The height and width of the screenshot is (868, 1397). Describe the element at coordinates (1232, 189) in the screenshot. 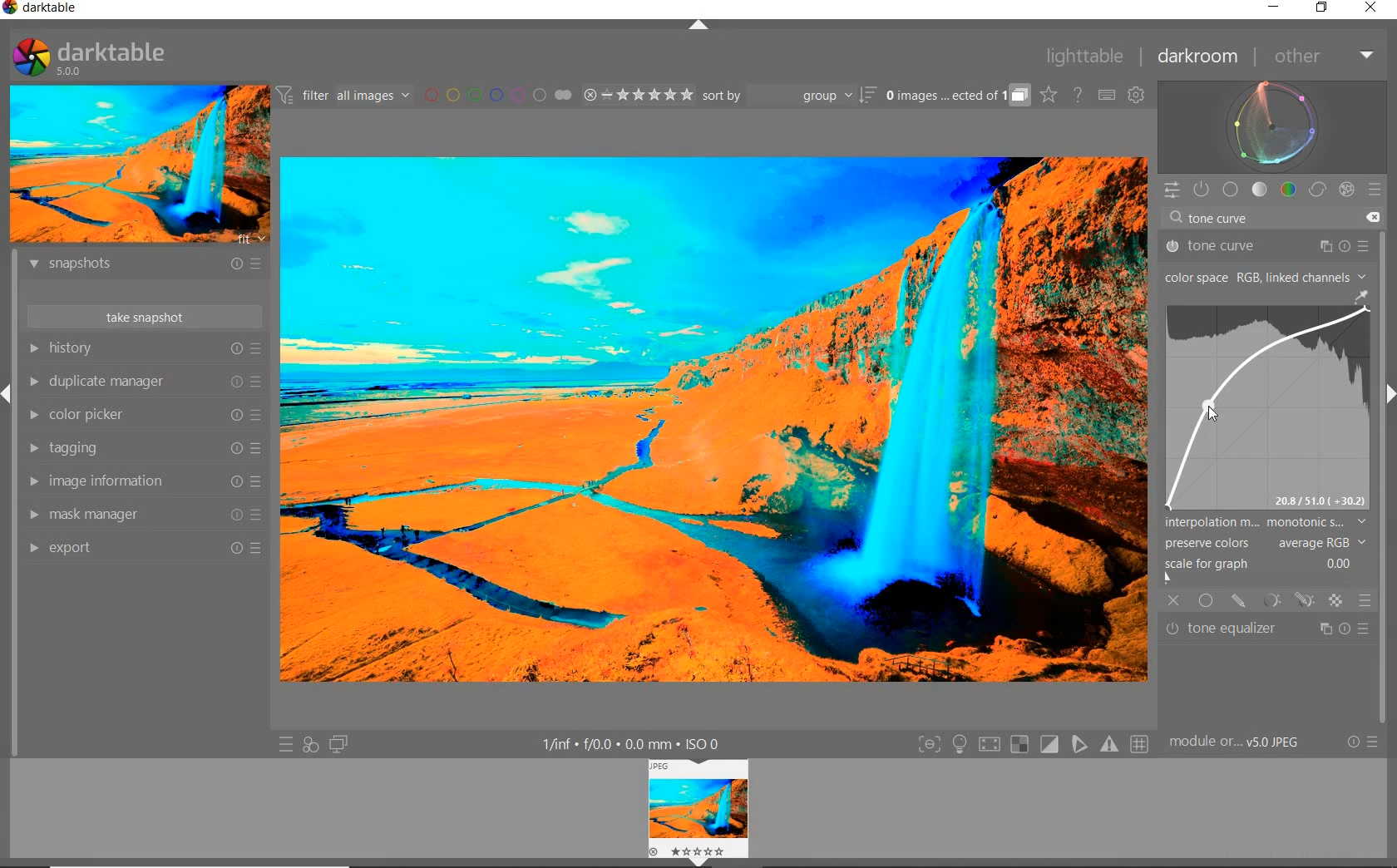

I see `base` at that location.